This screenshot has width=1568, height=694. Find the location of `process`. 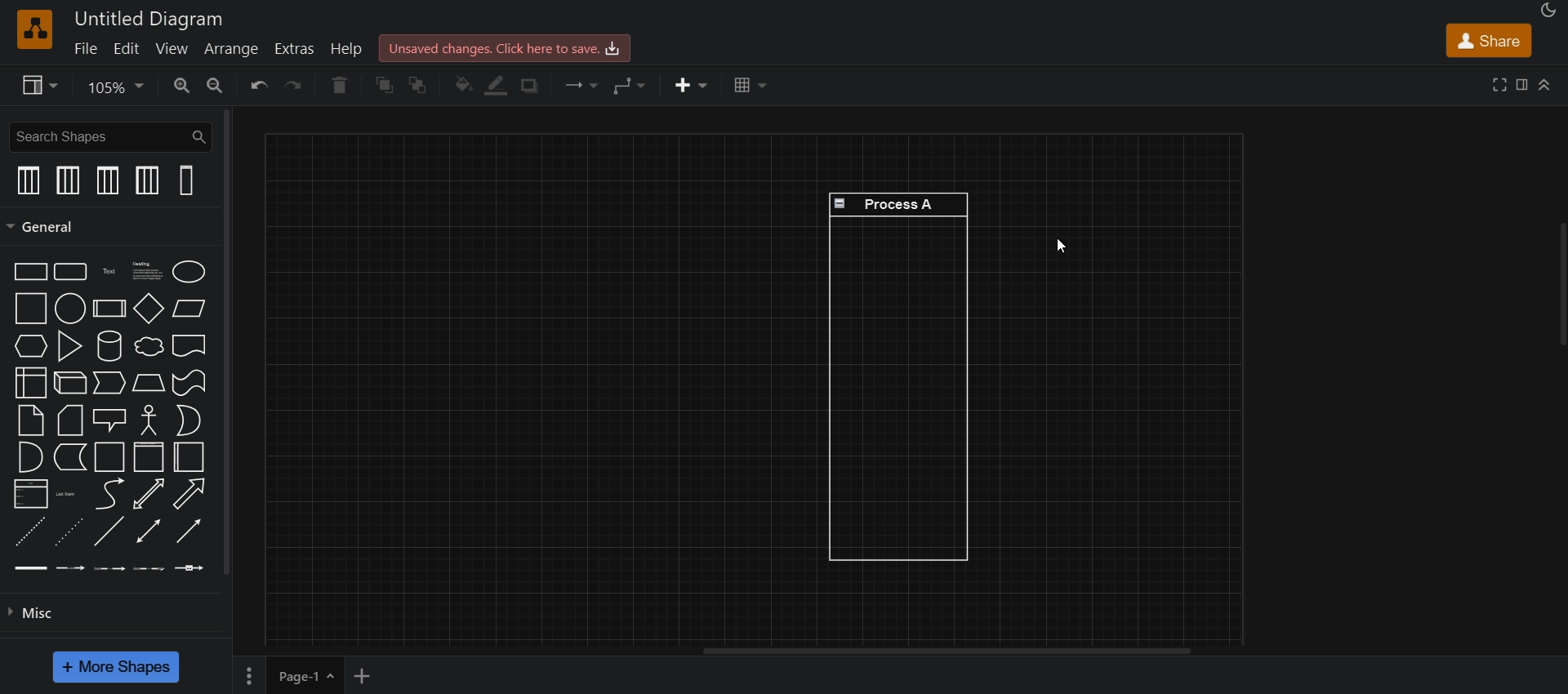

process is located at coordinates (110, 309).